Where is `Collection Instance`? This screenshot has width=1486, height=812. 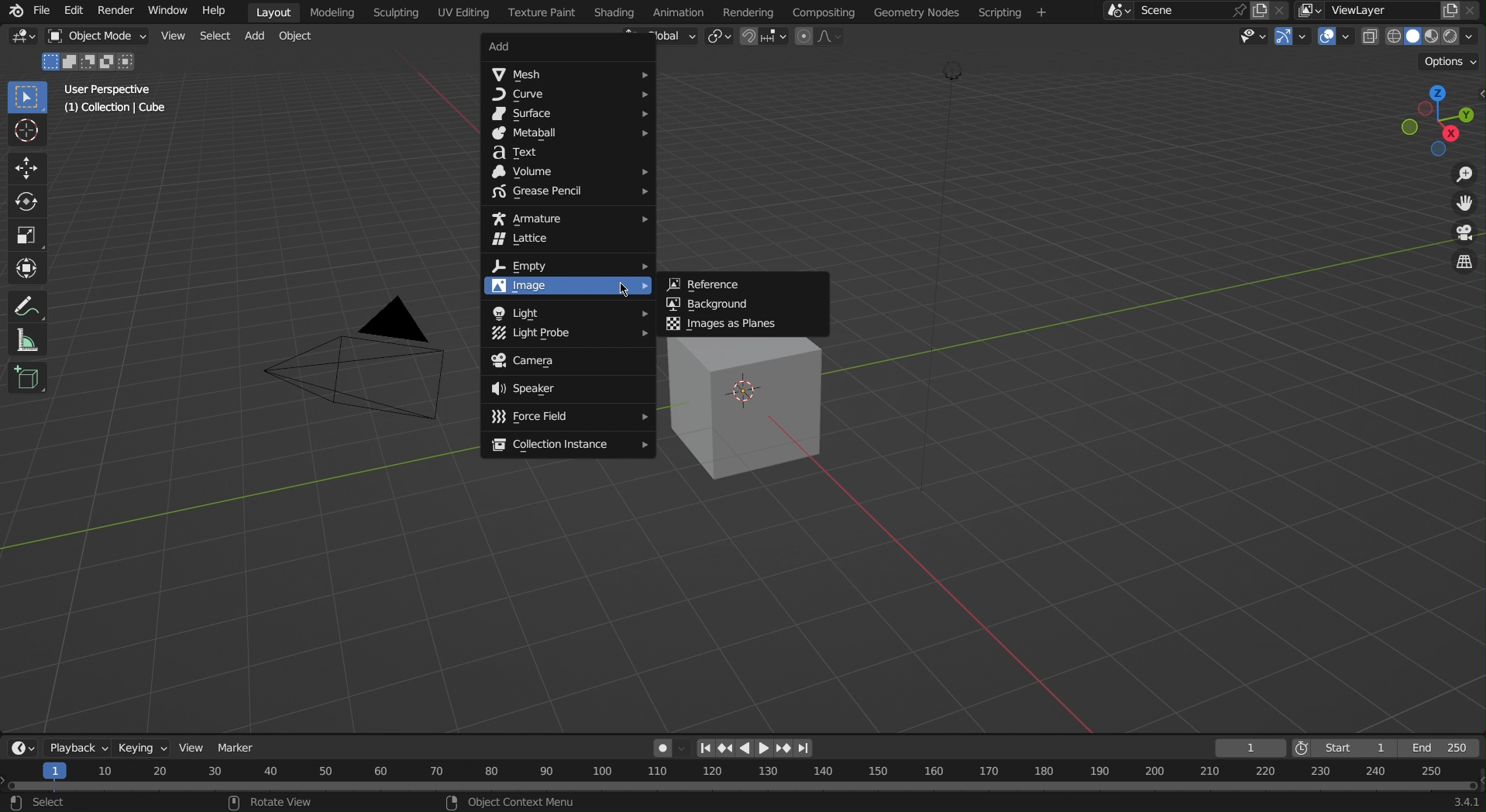 Collection Instance is located at coordinates (565, 443).